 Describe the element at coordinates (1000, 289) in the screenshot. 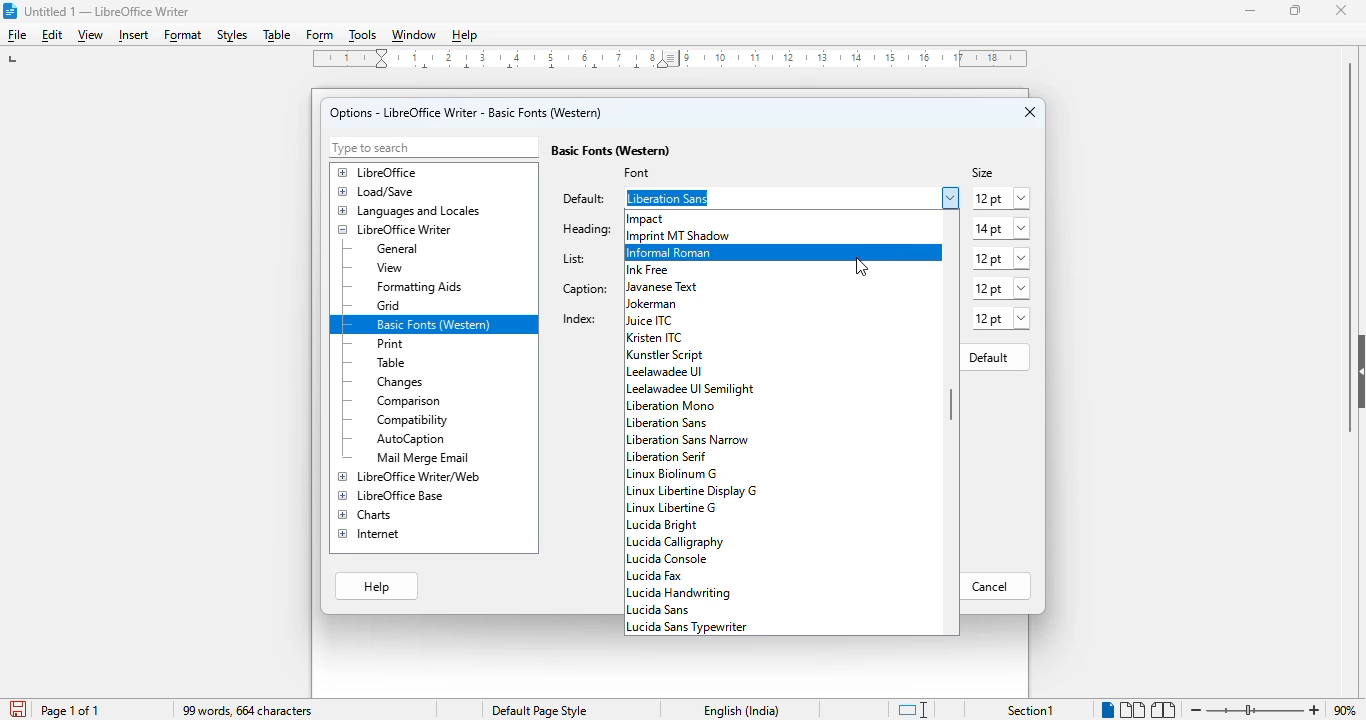

I see `12 pt` at that location.